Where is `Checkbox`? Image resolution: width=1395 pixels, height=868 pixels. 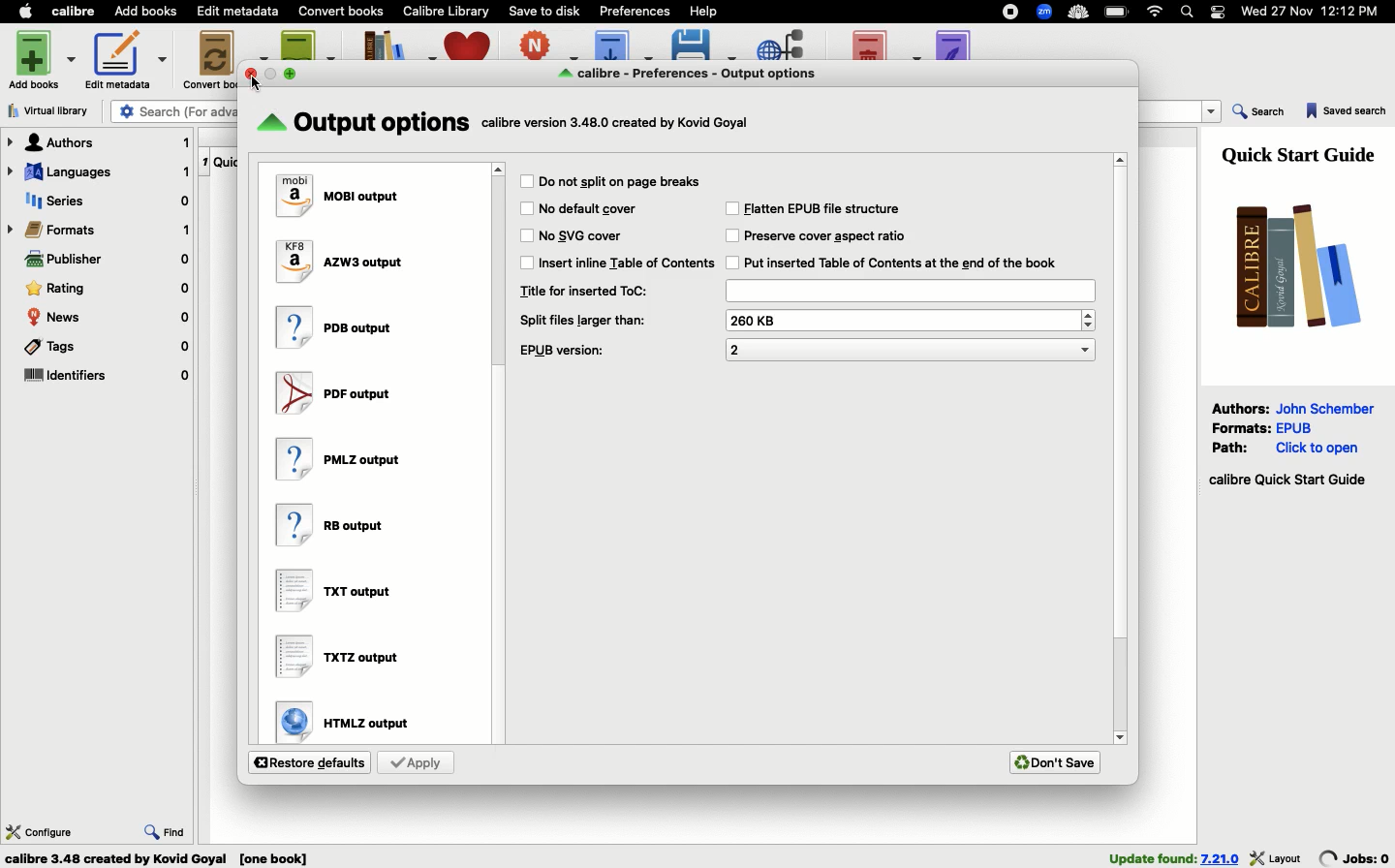
Checkbox is located at coordinates (528, 236).